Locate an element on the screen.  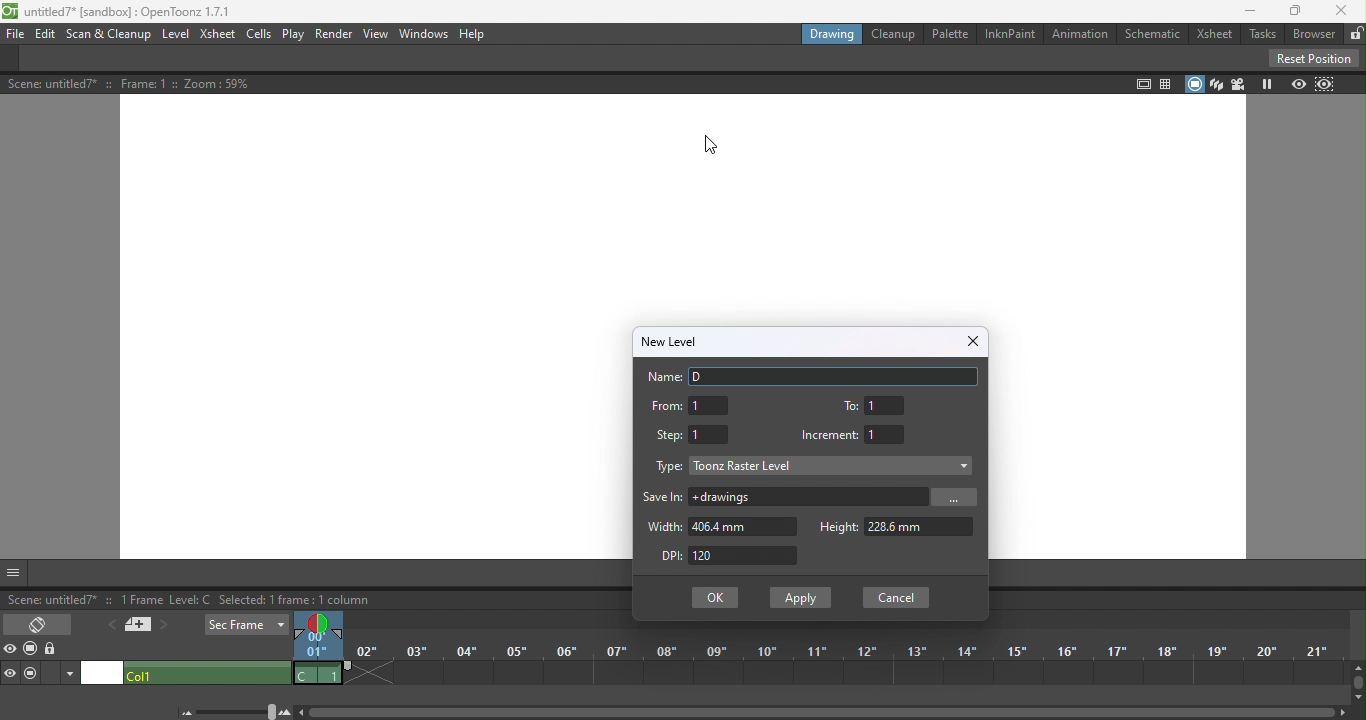
New memo is located at coordinates (137, 627).